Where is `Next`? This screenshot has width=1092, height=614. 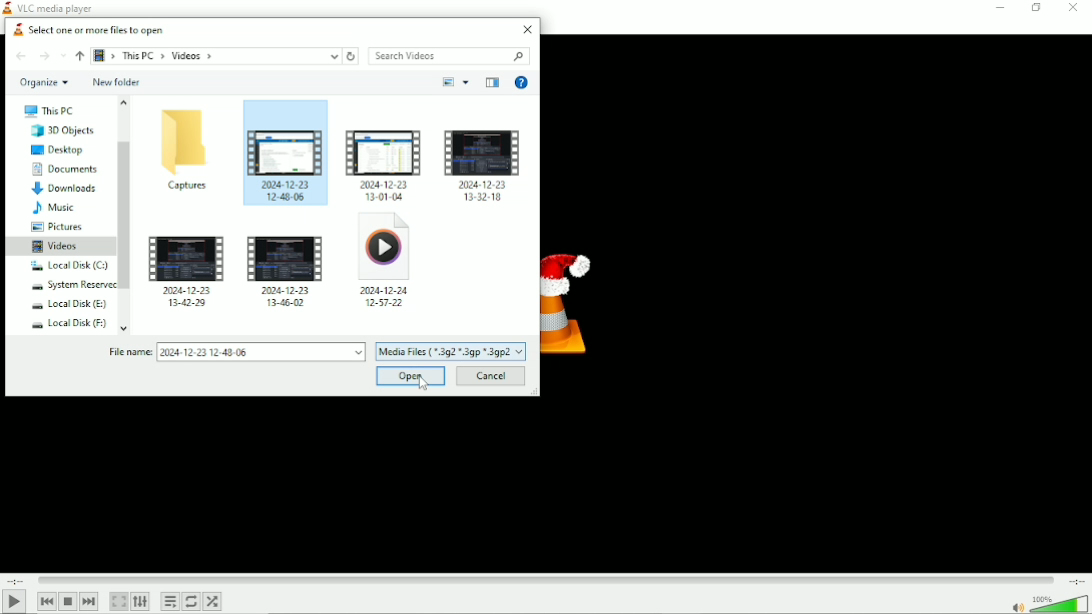 Next is located at coordinates (90, 601).